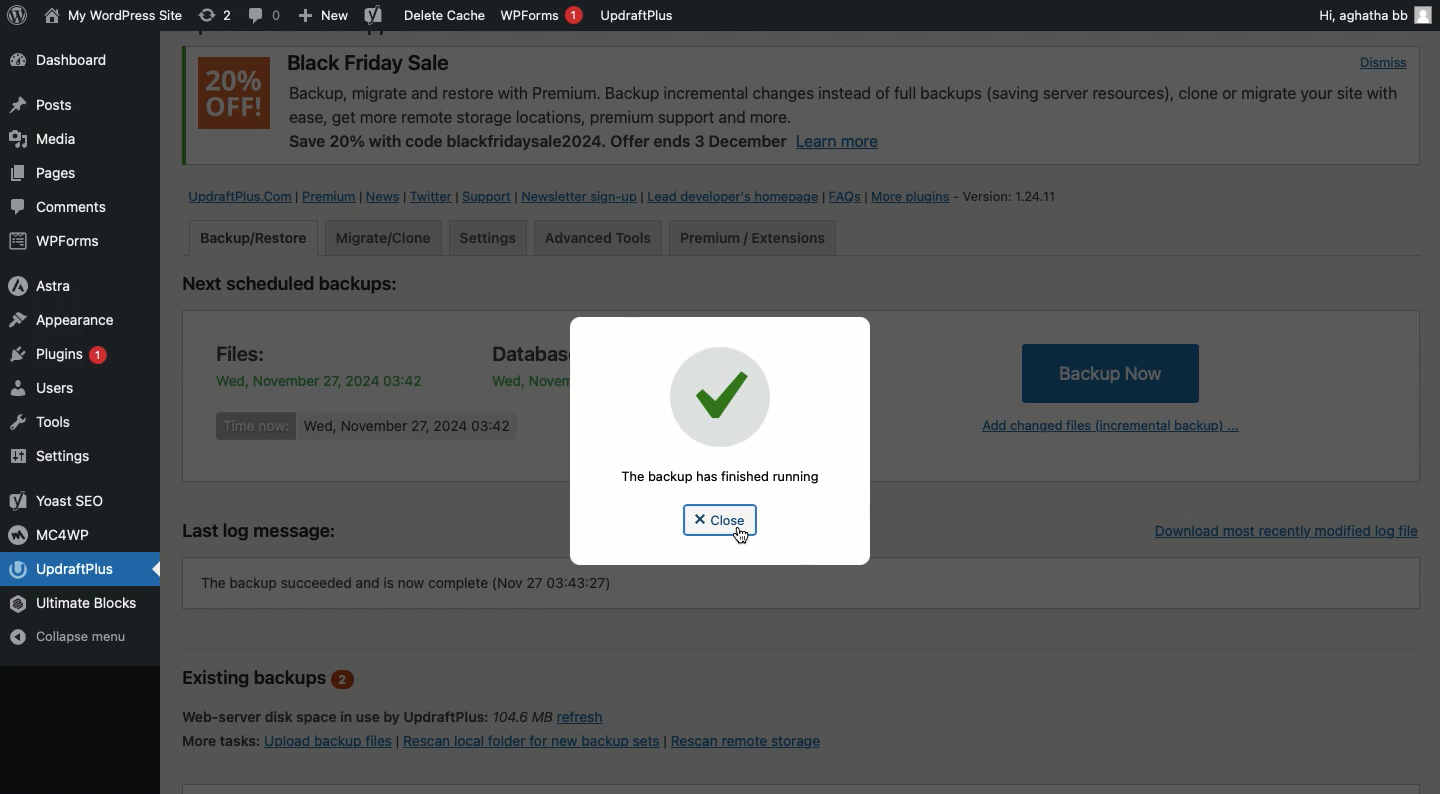 The image size is (1440, 794). What do you see at coordinates (723, 477) in the screenshot?
I see `The backup has finished running` at bounding box center [723, 477].